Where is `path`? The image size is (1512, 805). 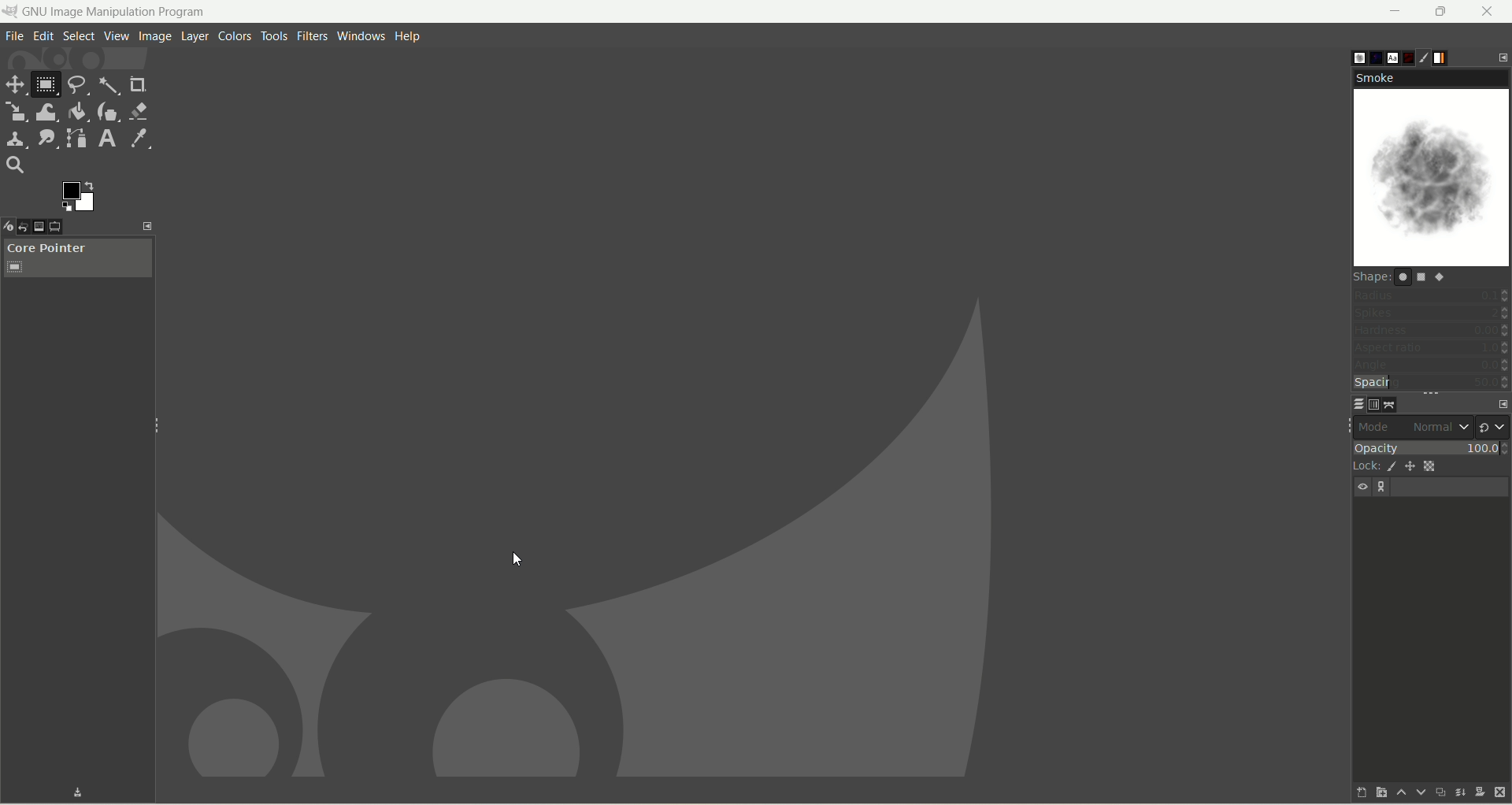
path is located at coordinates (1391, 404).